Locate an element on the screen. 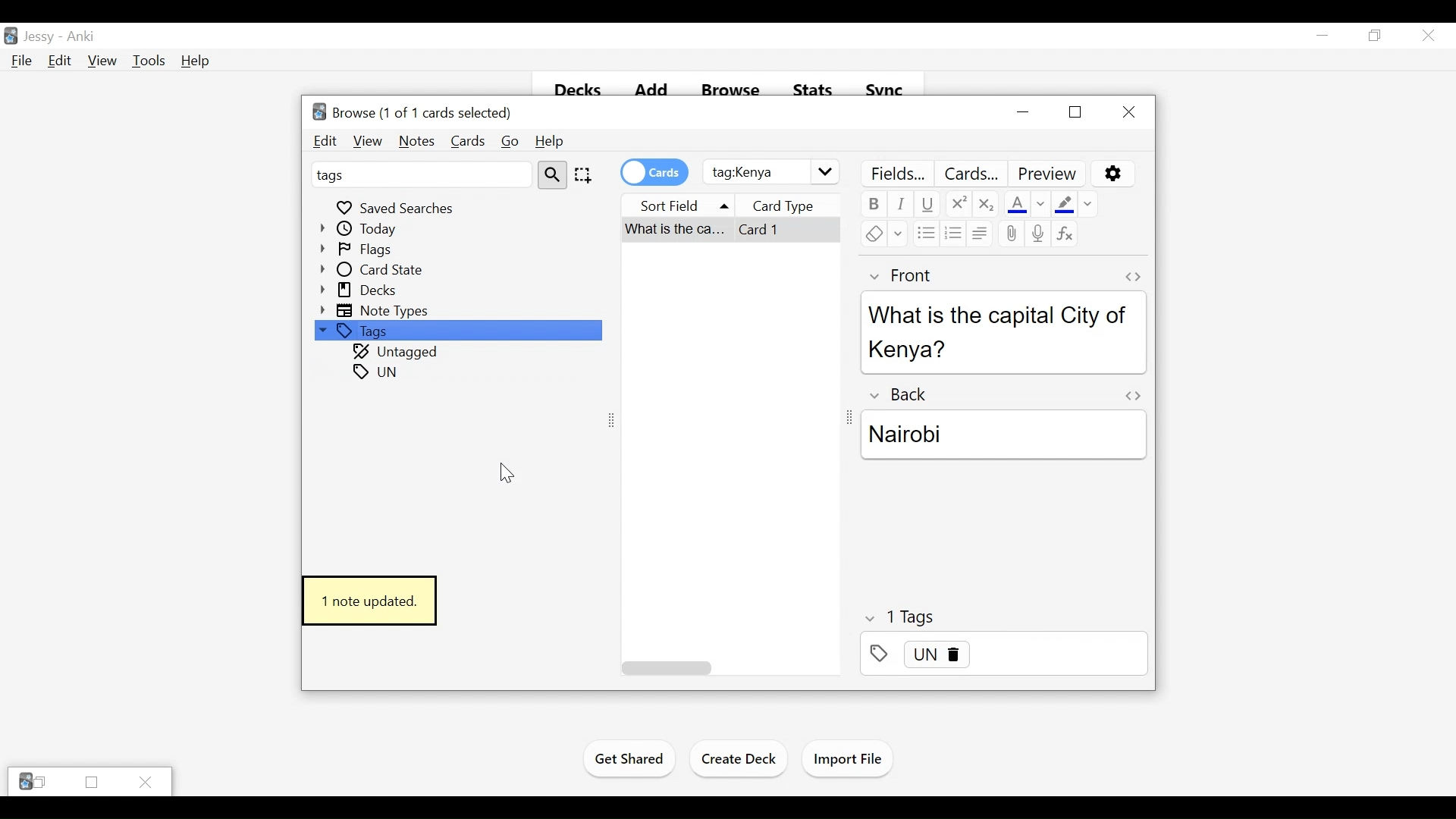  Help is located at coordinates (196, 61).